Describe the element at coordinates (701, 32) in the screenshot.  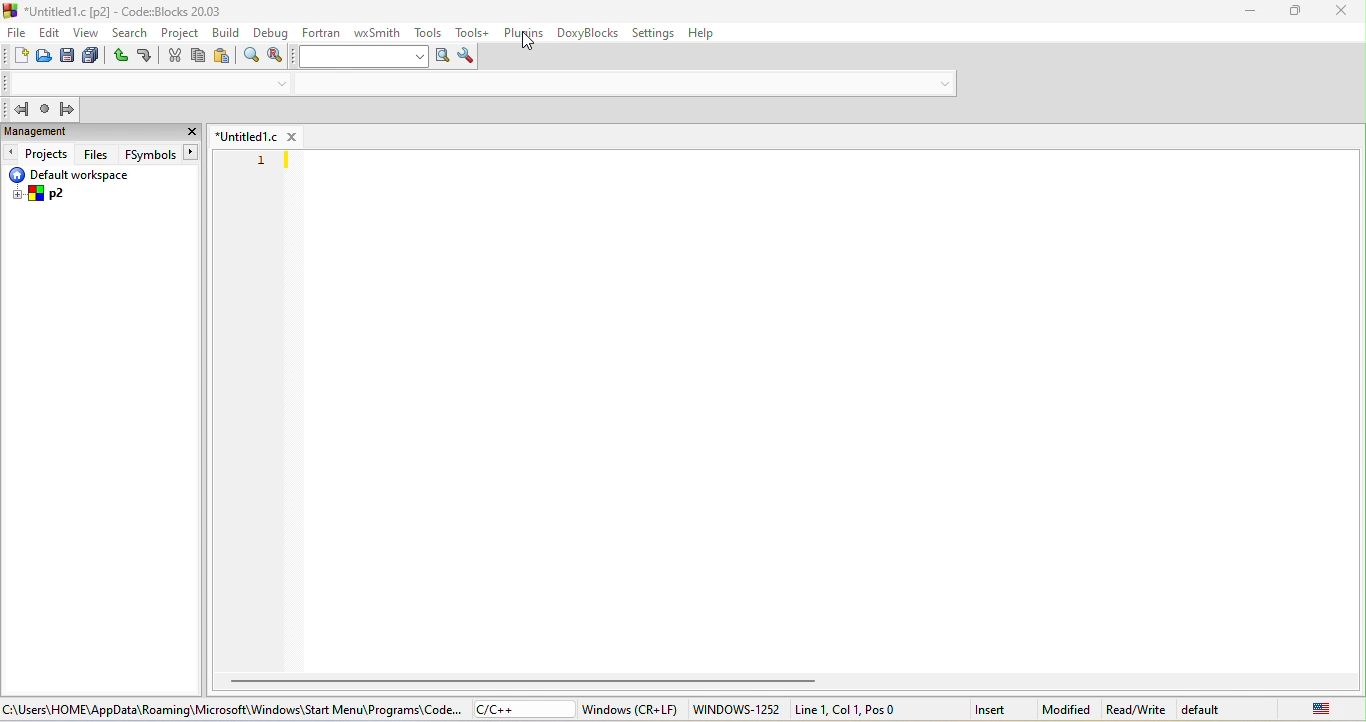
I see `help` at that location.